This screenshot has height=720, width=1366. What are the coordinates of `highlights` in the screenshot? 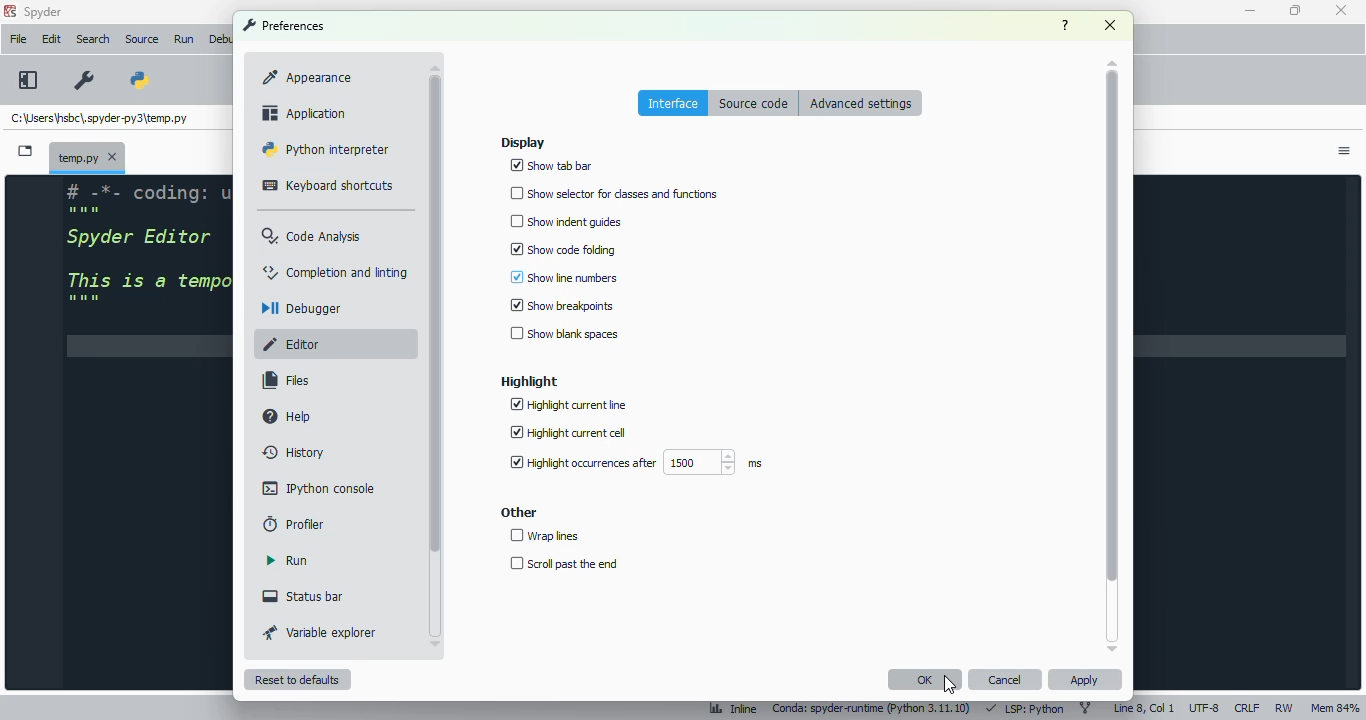 It's located at (529, 382).